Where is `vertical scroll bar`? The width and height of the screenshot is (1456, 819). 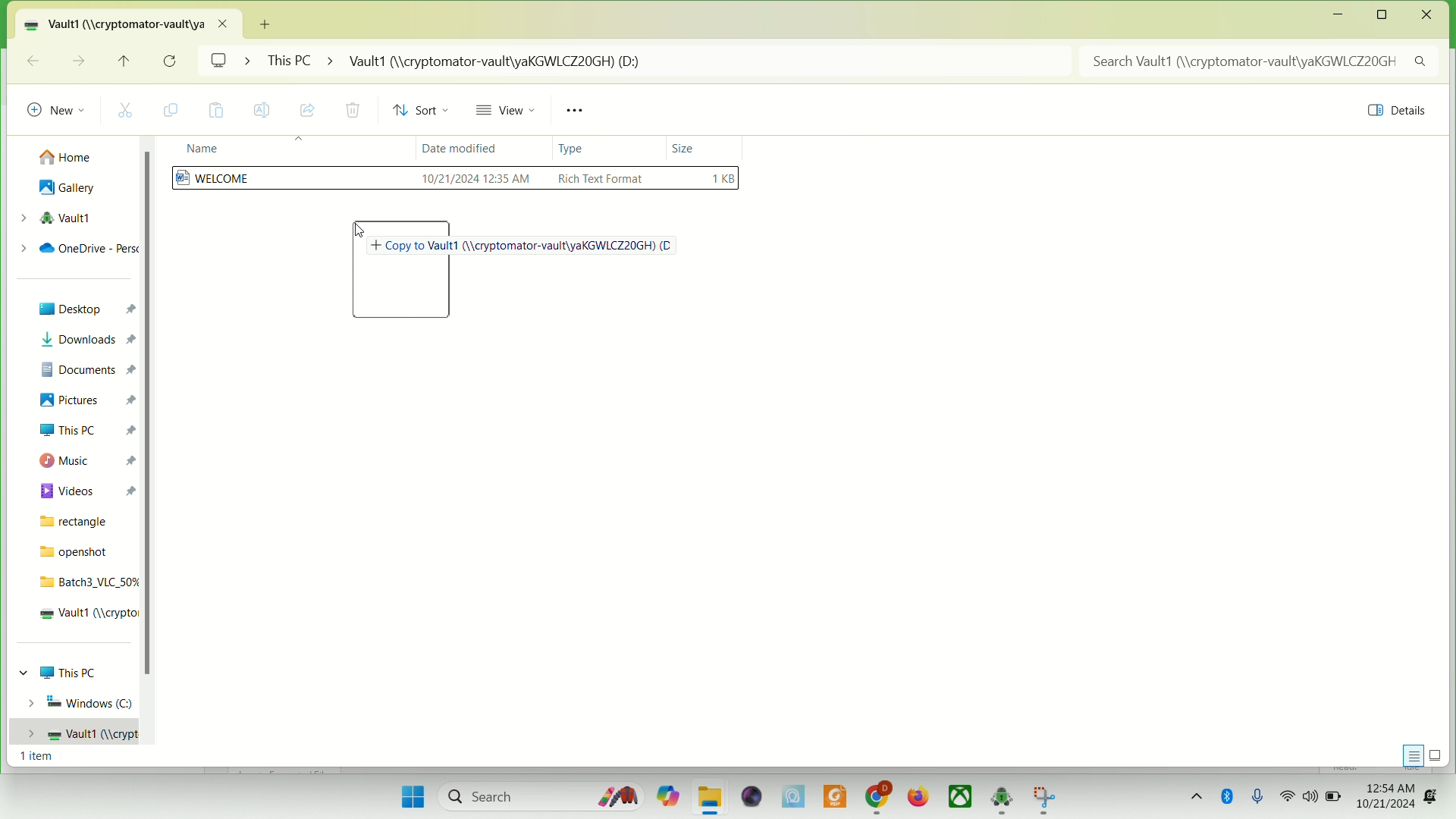
vertical scroll bar is located at coordinates (148, 451).